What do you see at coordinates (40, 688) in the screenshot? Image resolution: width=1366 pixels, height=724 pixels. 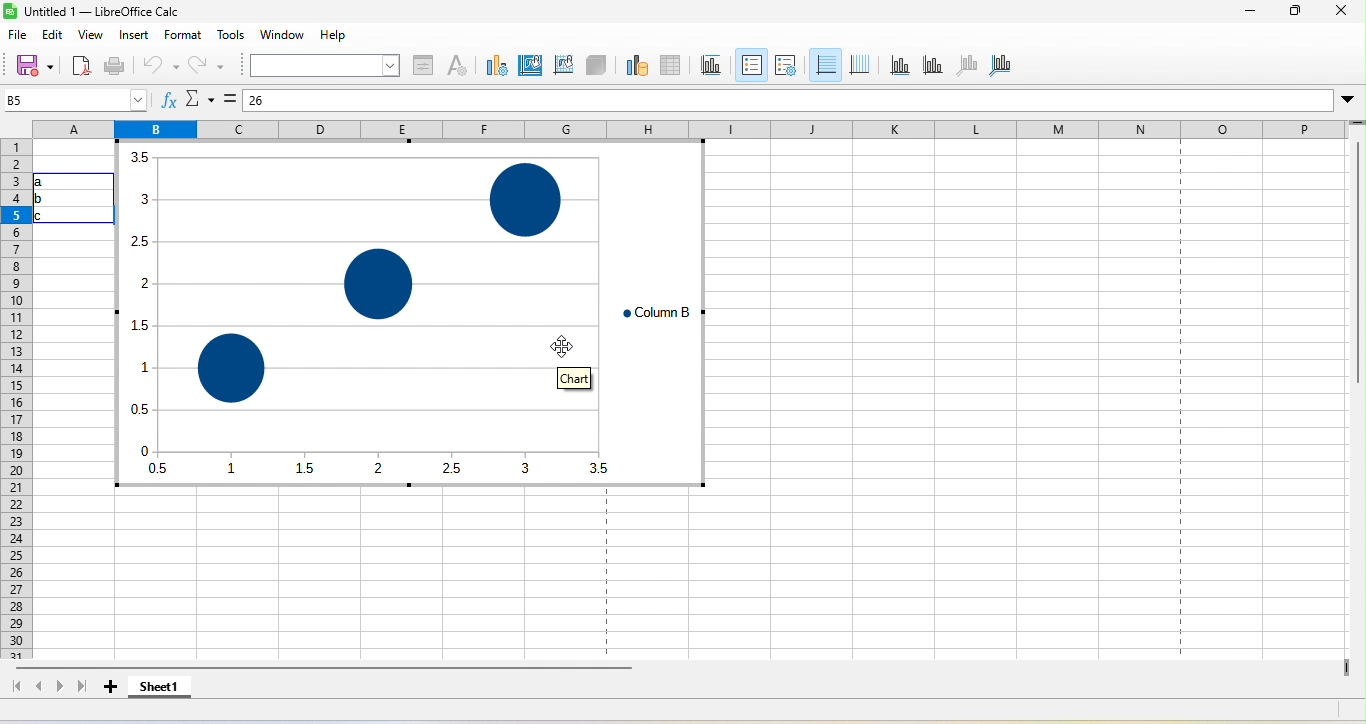 I see `previous sheet` at bounding box center [40, 688].